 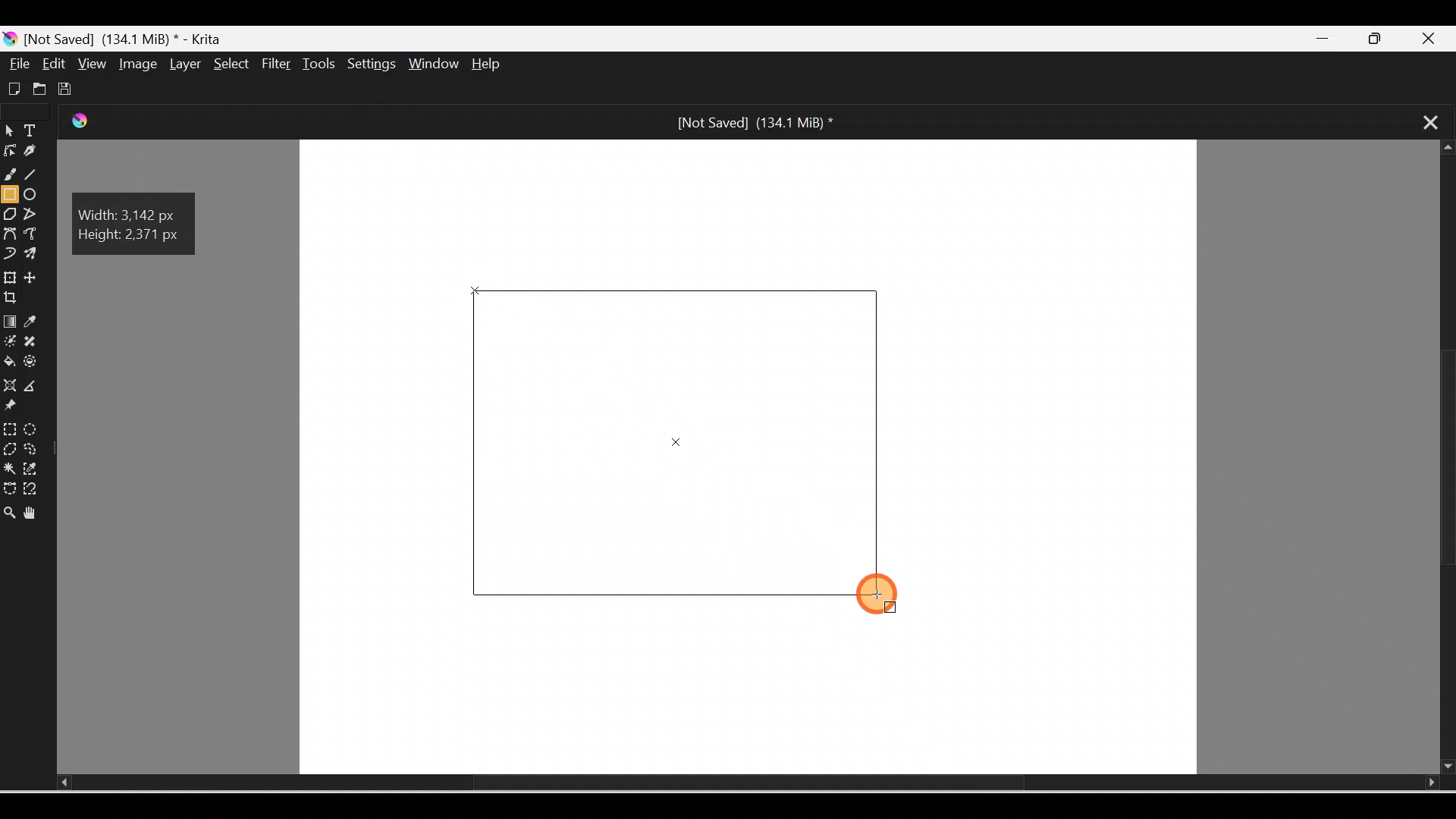 What do you see at coordinates (1442, 458) in the screenshot?
I see `Scroll bar` at bounding box center [1442, 458].